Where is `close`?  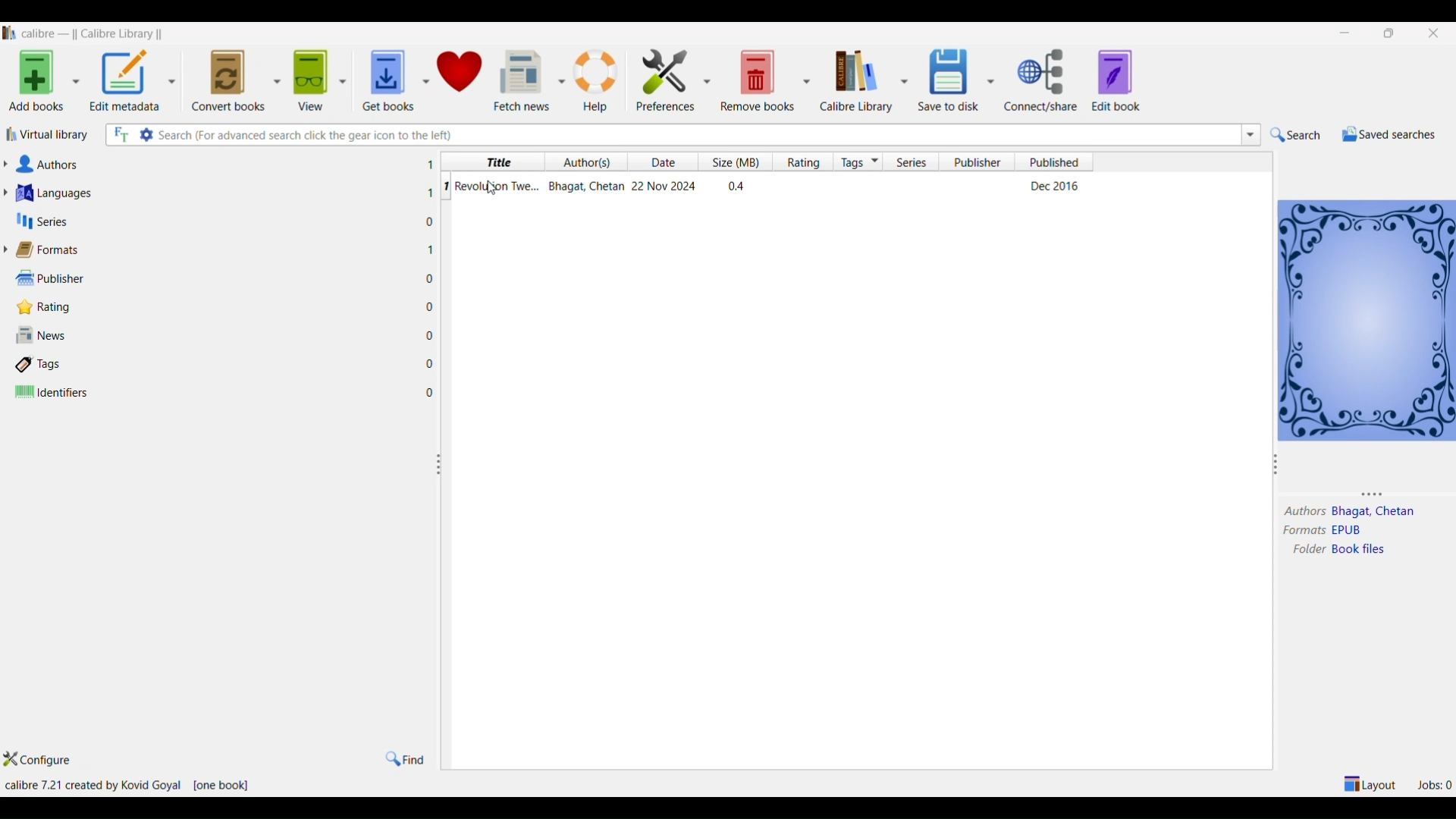 close is located at coordinates (1434, 31).